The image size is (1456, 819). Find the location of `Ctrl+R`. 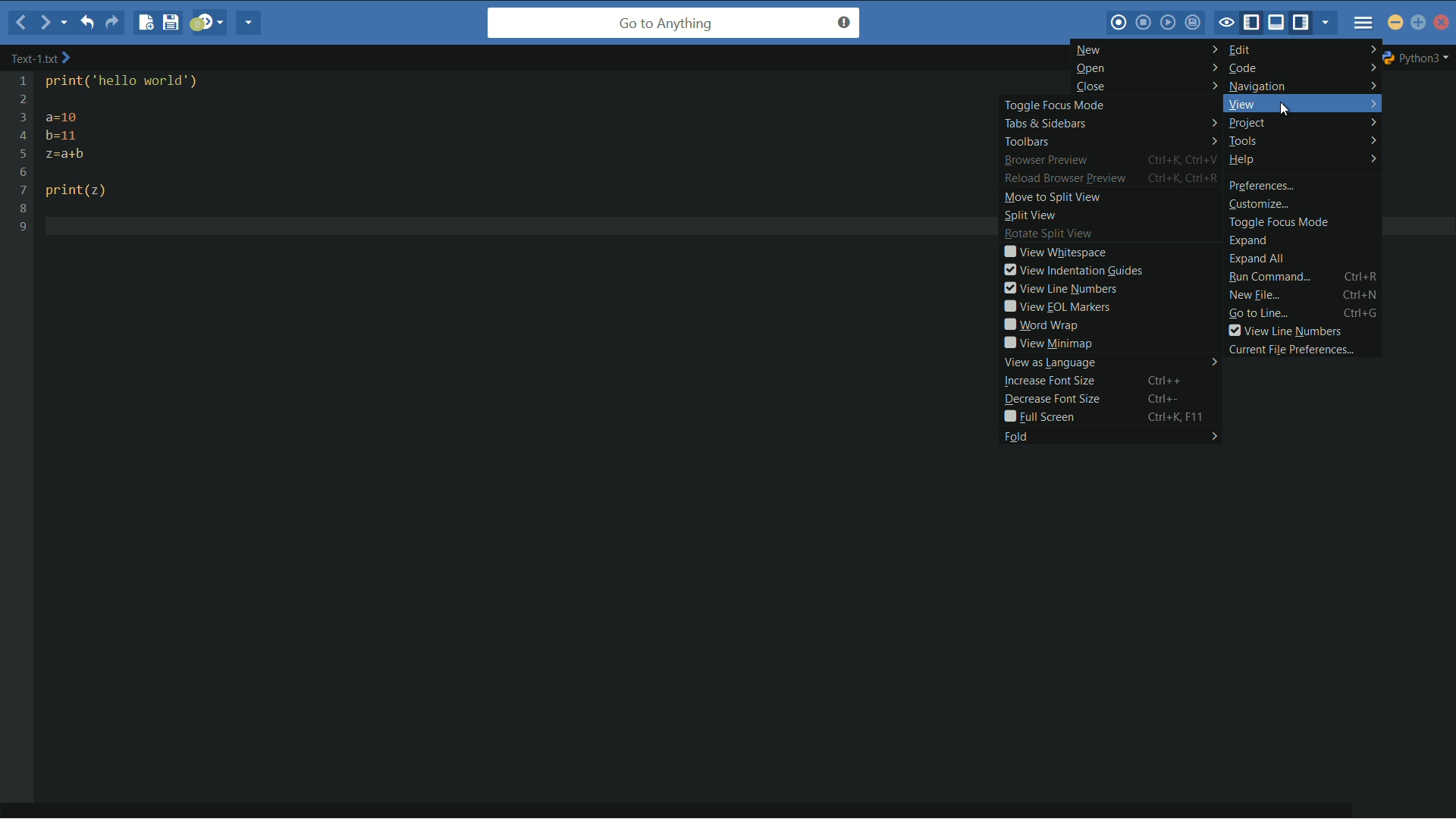

Ctrl+R is located at coordinates (1363, 276).